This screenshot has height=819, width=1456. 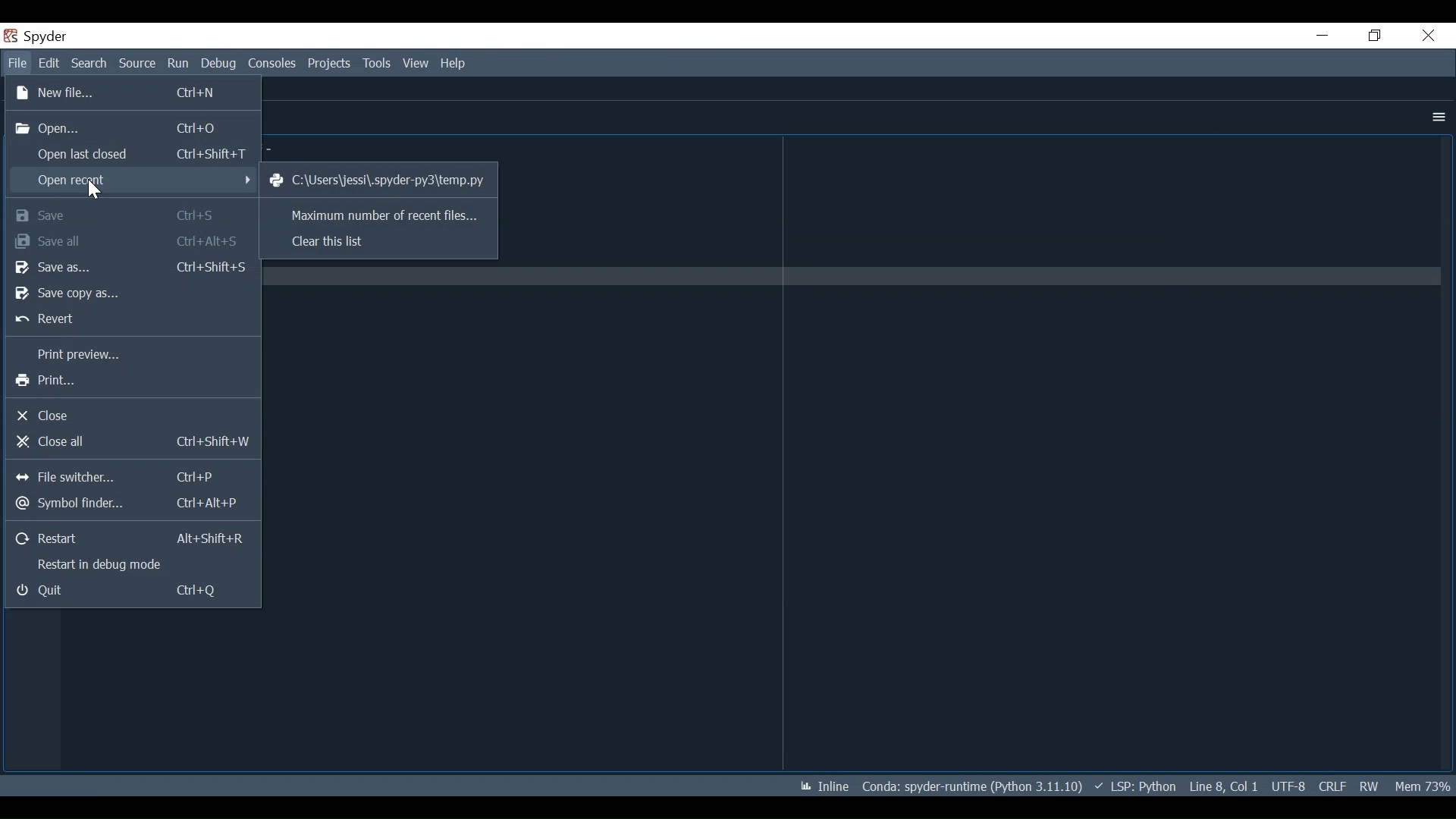 What do you see at coordinates (1222, 788) in the screenshot?
I see `Line 8, Col 1` at bounding box center [1222, 788].